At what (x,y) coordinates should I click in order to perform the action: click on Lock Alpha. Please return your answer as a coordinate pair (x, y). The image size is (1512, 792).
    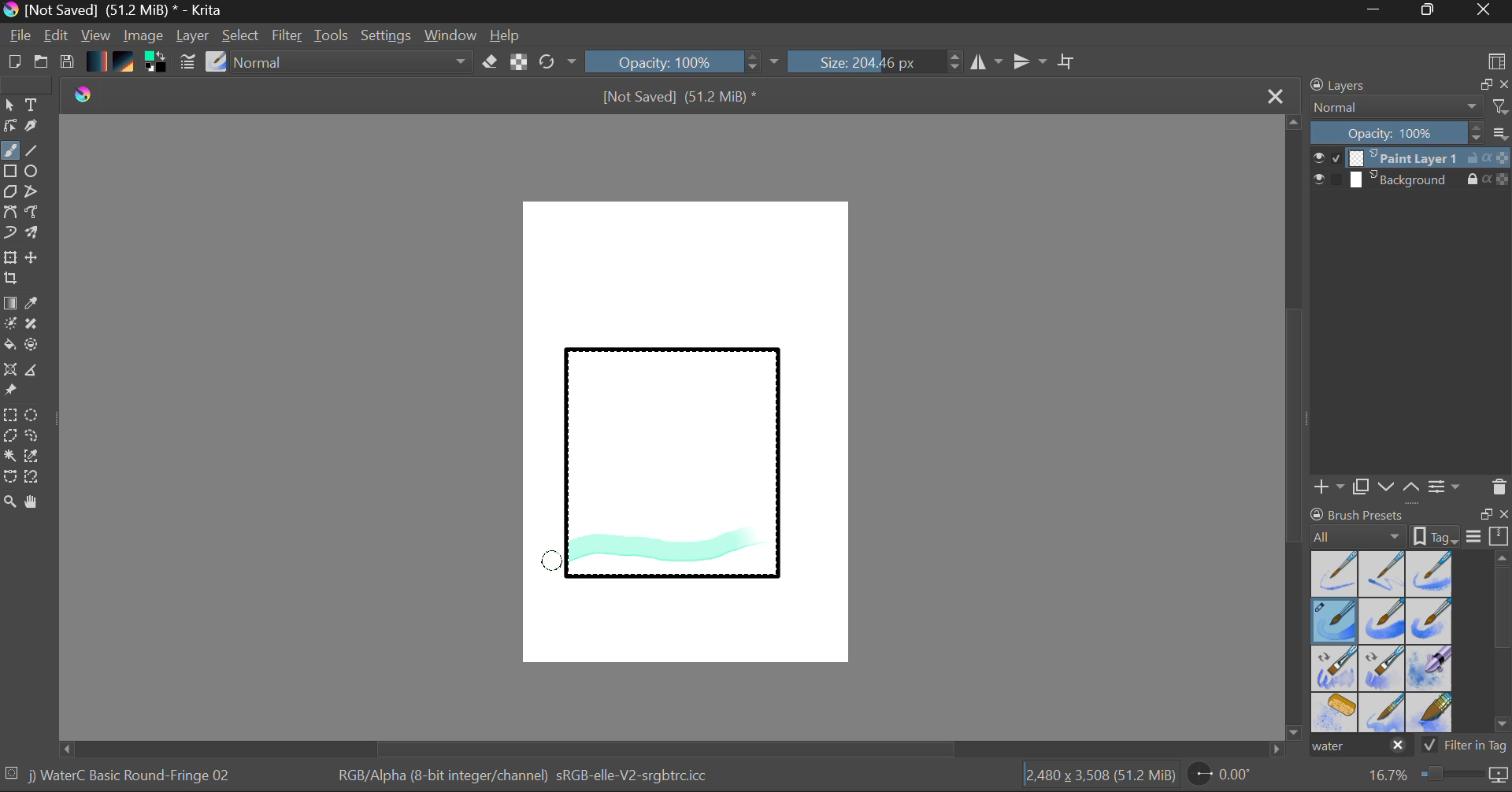
    Looking at the image, I should click on (517, 63).